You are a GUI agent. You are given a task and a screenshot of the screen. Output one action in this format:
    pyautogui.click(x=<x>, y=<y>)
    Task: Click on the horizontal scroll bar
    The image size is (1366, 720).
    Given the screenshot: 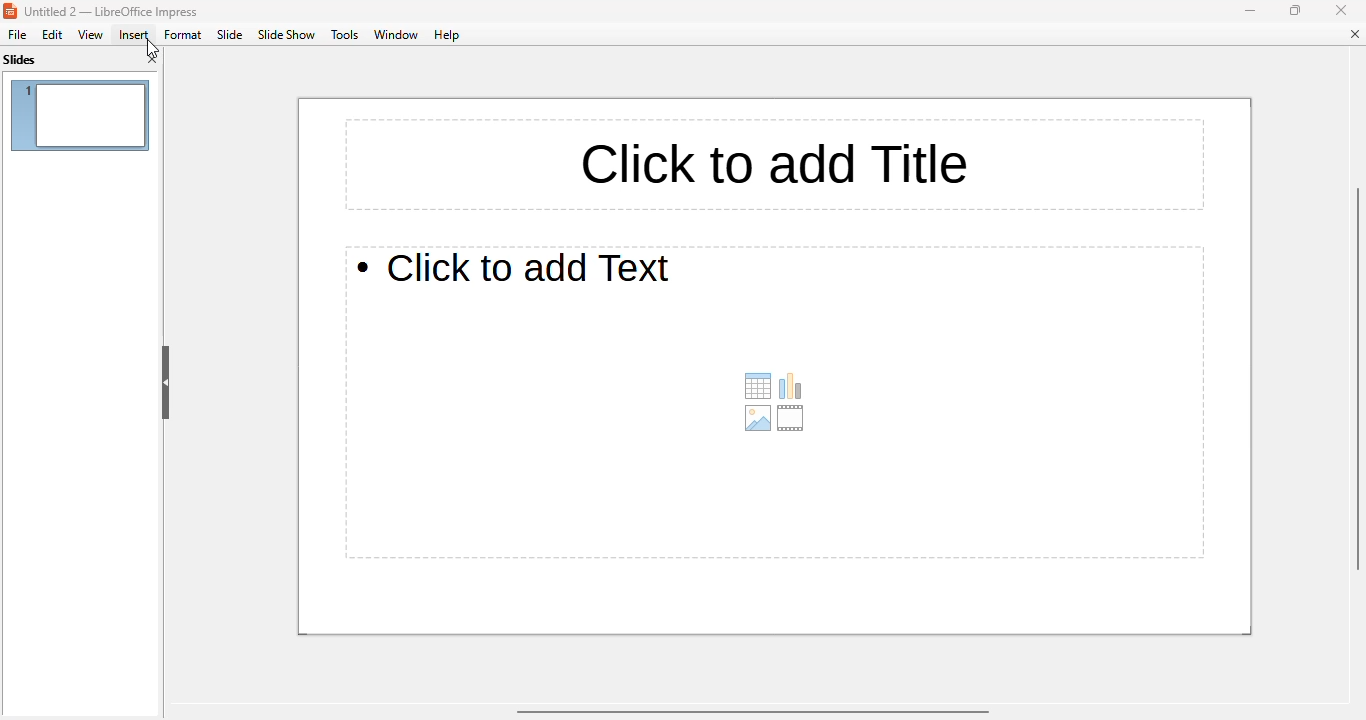 What is the action you would take?
    pyautogui.click(x=750, y=712)
    